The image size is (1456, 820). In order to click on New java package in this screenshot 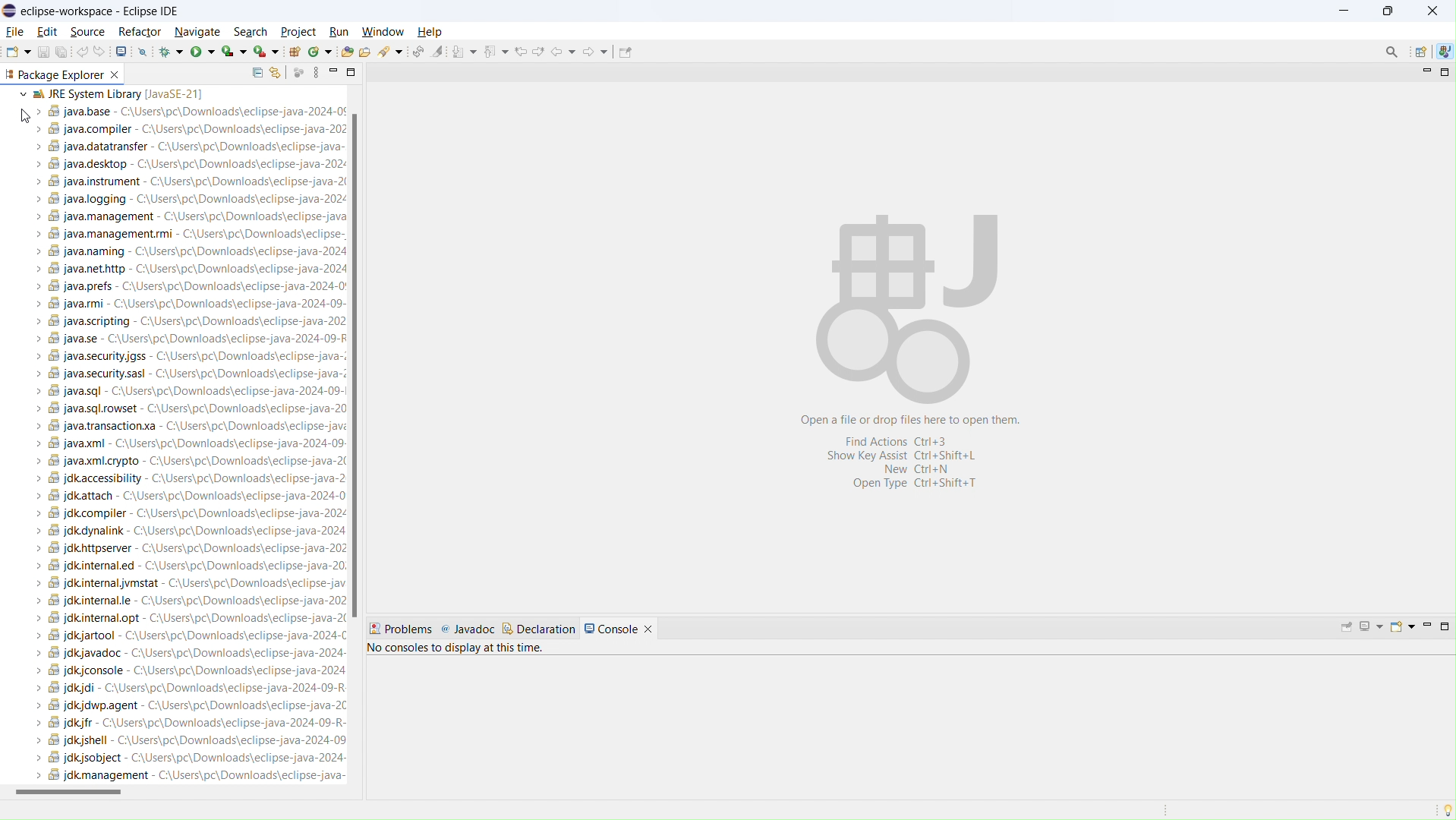, I will do `click(293, 50)`.